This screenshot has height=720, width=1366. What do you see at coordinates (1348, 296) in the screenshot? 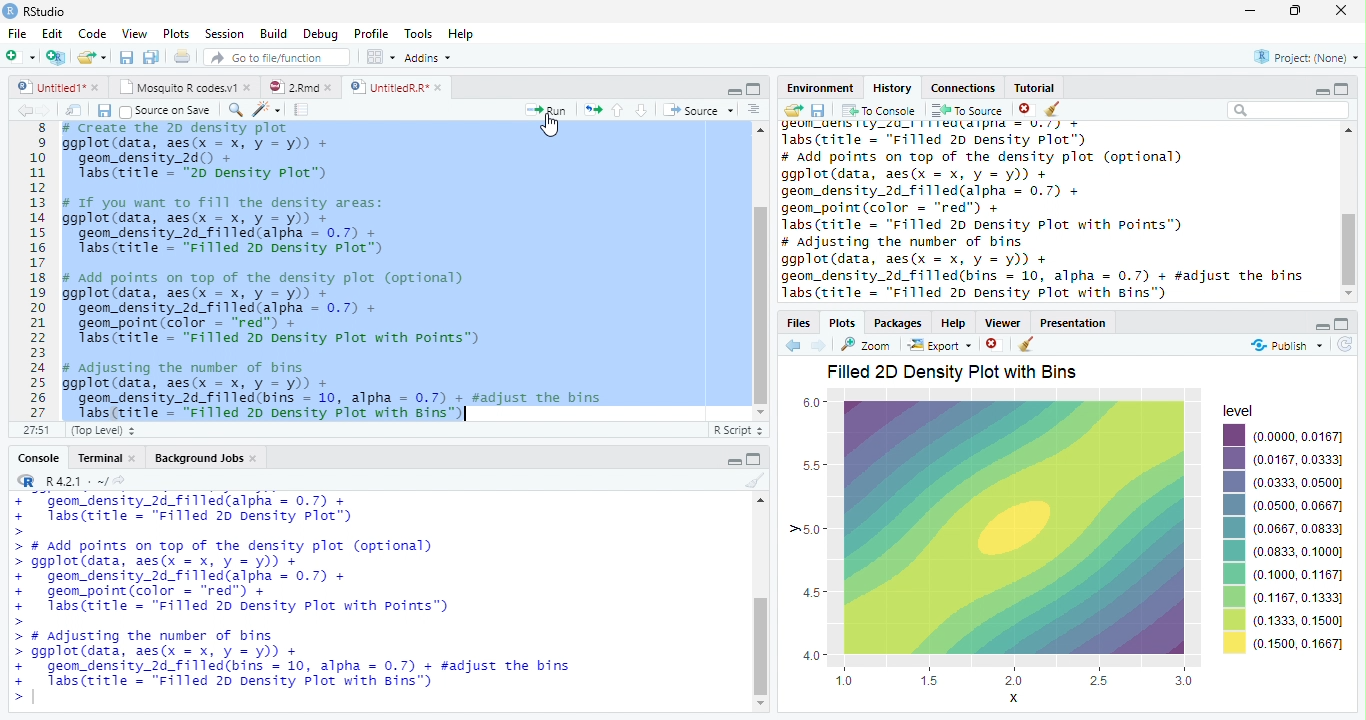
I see `Scrollbar down` at bounding box center [1348, 296].